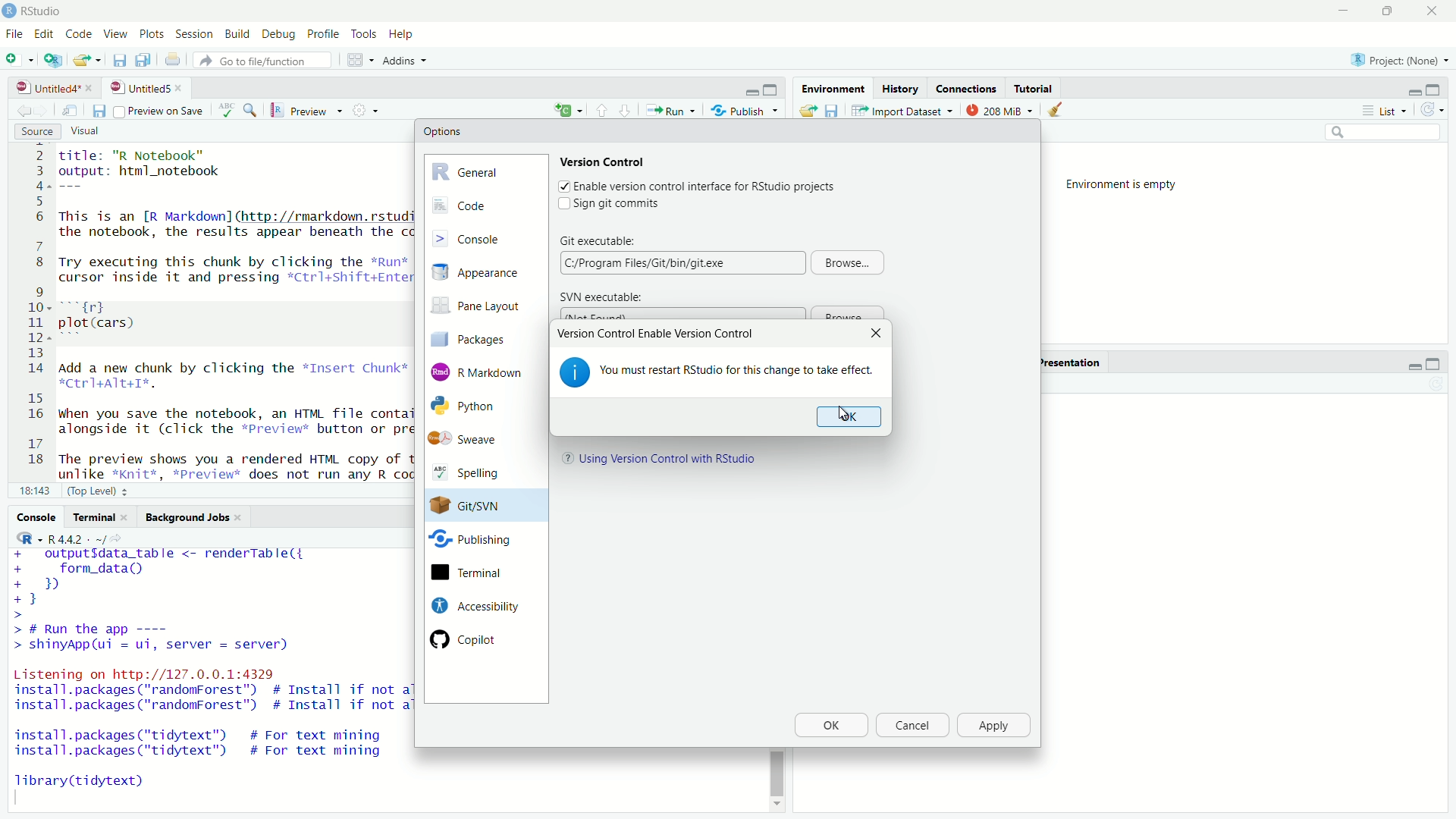 The height and width of the screenshot is (819, 1456). I want to click on Browse..., so click(849, 262).